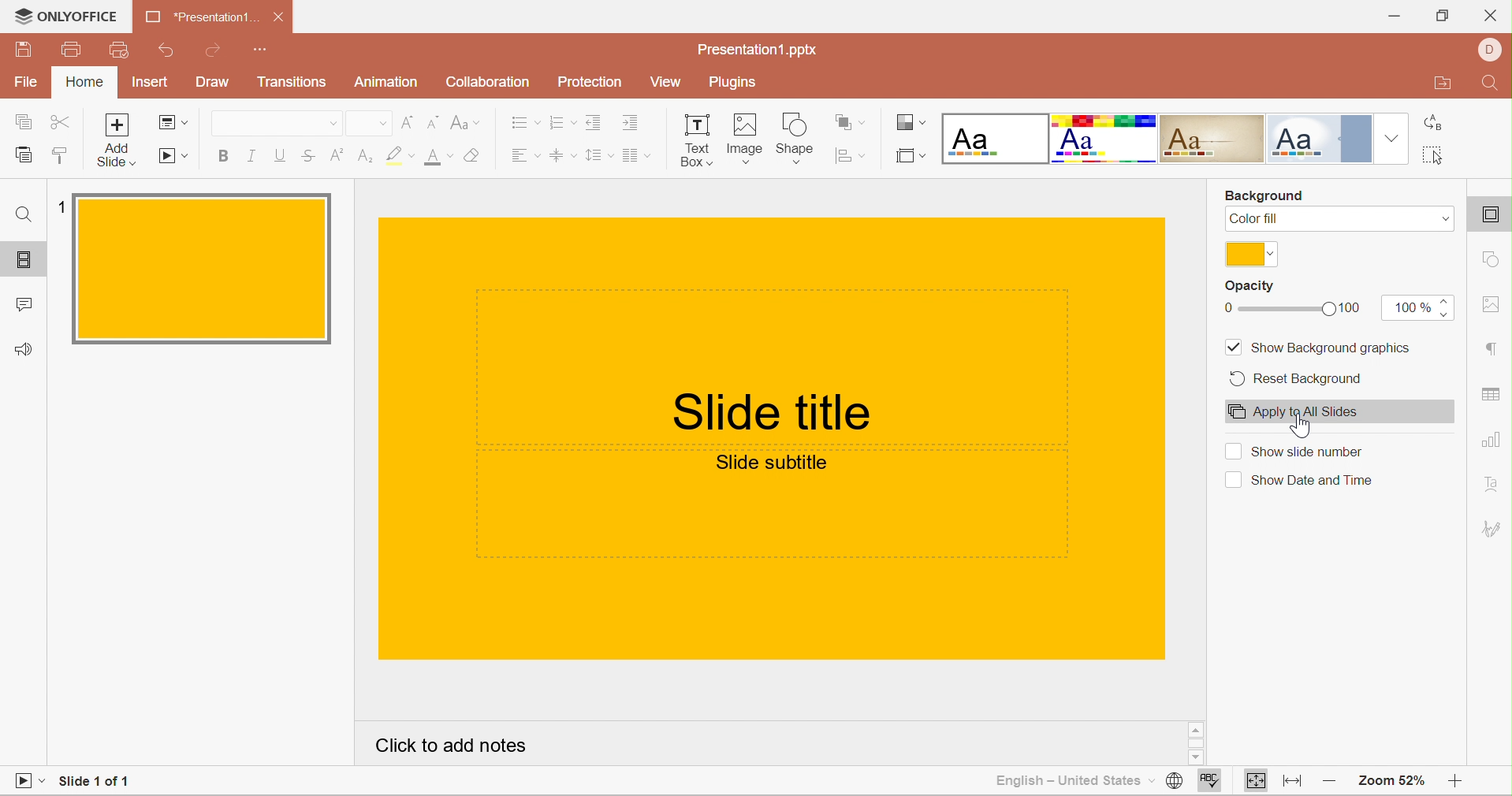  I want to click on Add slide, so click(117, 125).